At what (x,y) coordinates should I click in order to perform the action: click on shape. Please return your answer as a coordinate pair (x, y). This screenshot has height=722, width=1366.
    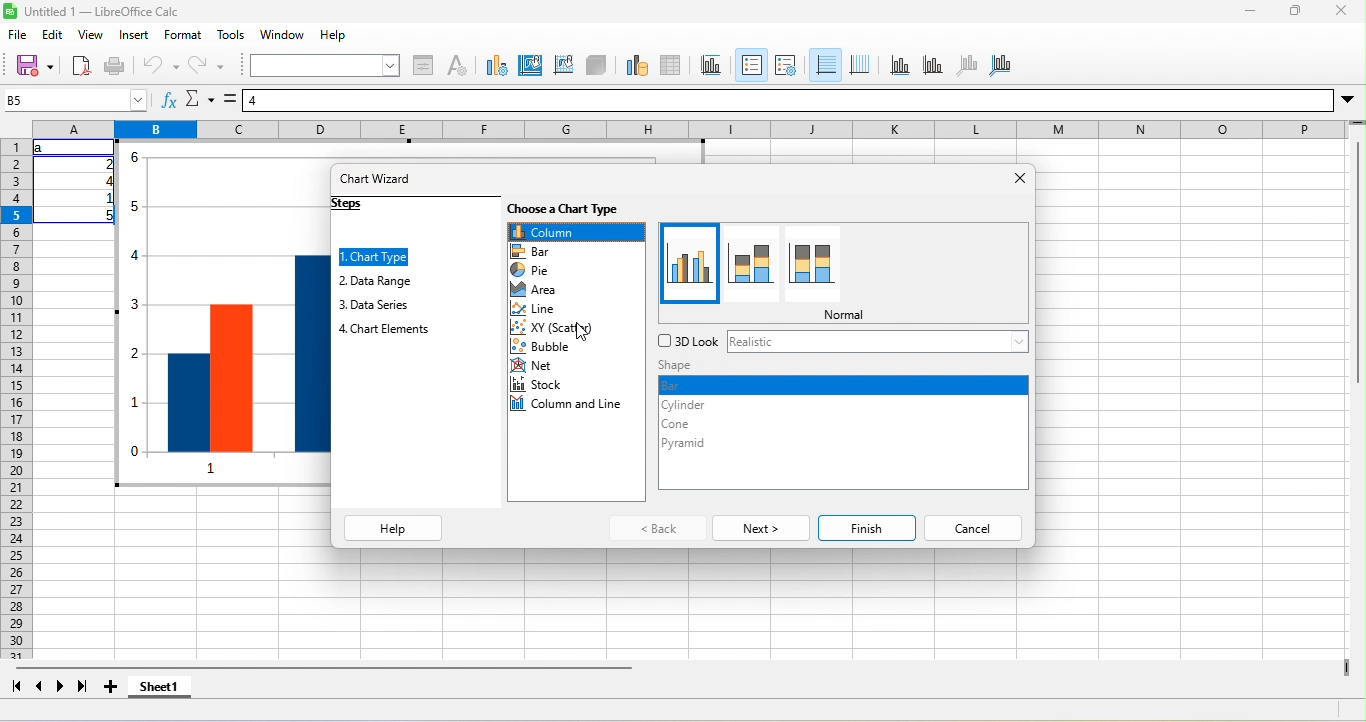
    Looking at the image, I should click on (676, 365).